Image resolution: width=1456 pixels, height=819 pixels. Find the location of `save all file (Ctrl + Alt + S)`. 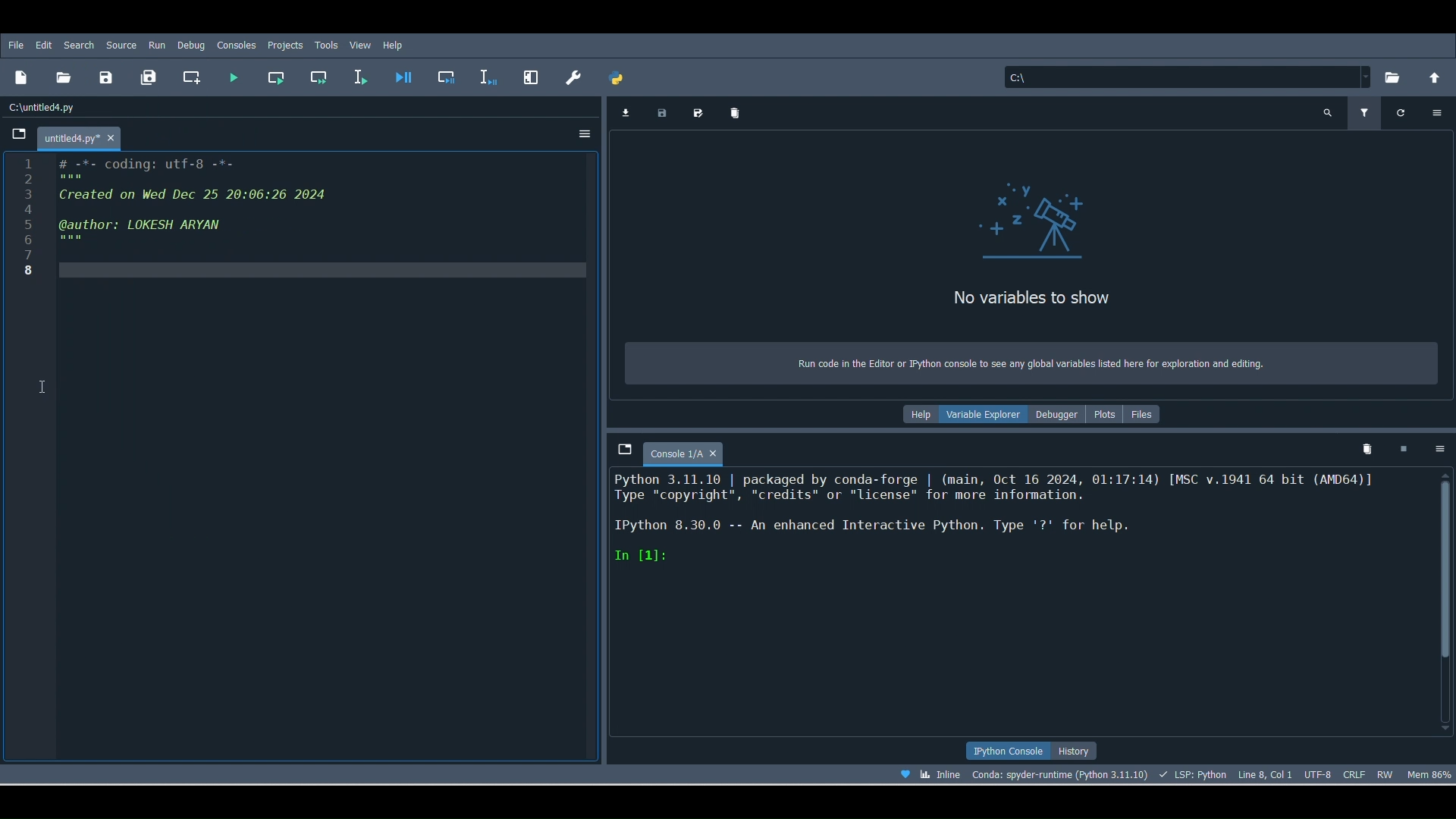

save all file (Ctrl + Alt + S) is located at coordinates (152, 78).